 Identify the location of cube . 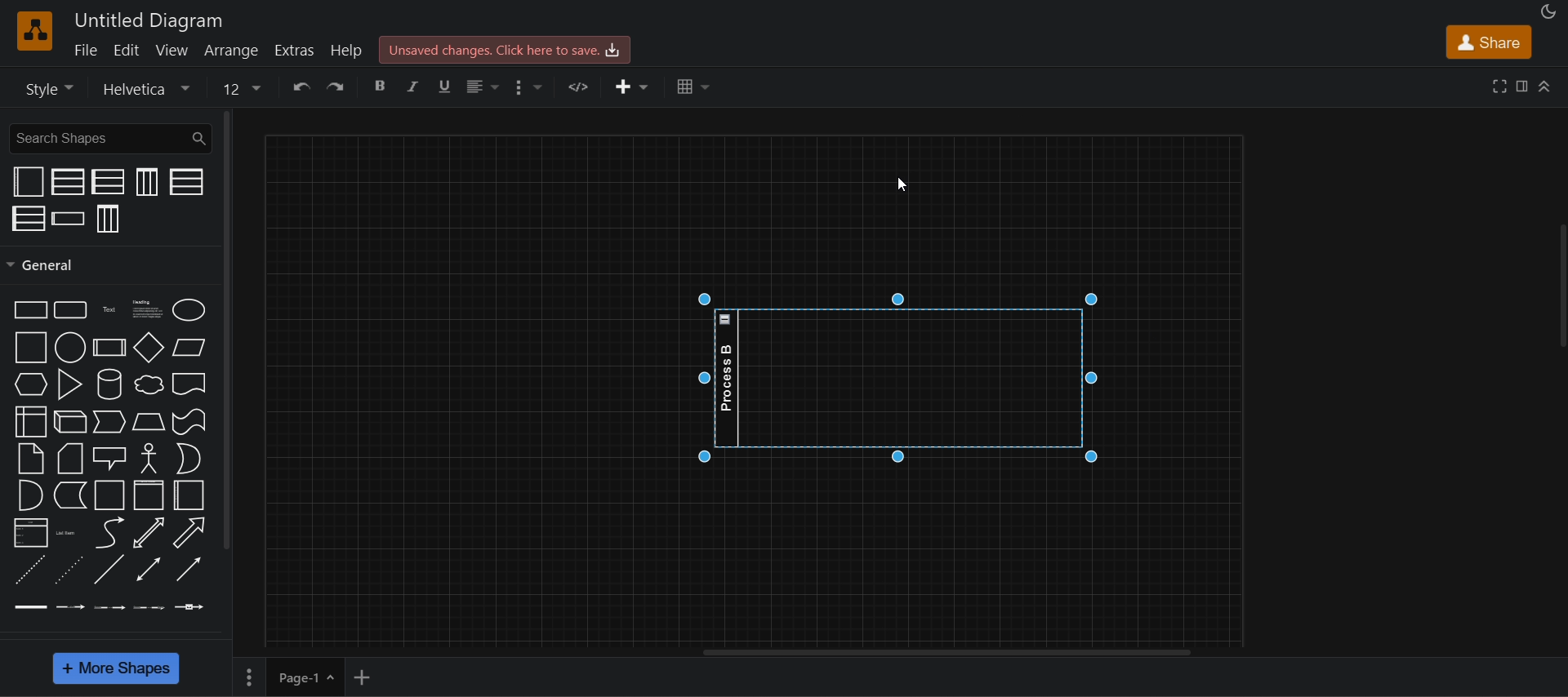
(69, 422).